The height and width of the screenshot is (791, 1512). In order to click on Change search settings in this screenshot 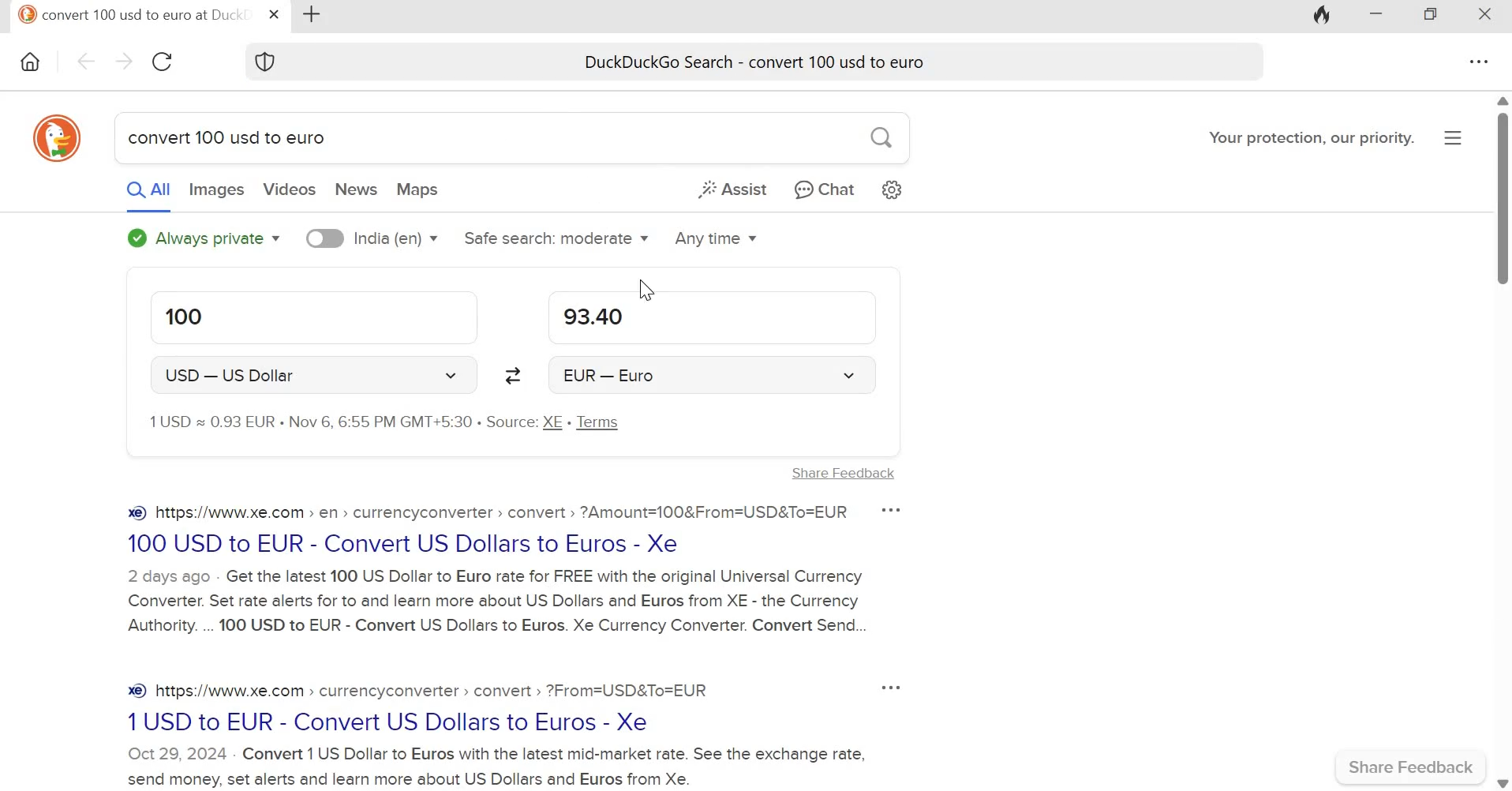, I will do `click(892, 189)`.